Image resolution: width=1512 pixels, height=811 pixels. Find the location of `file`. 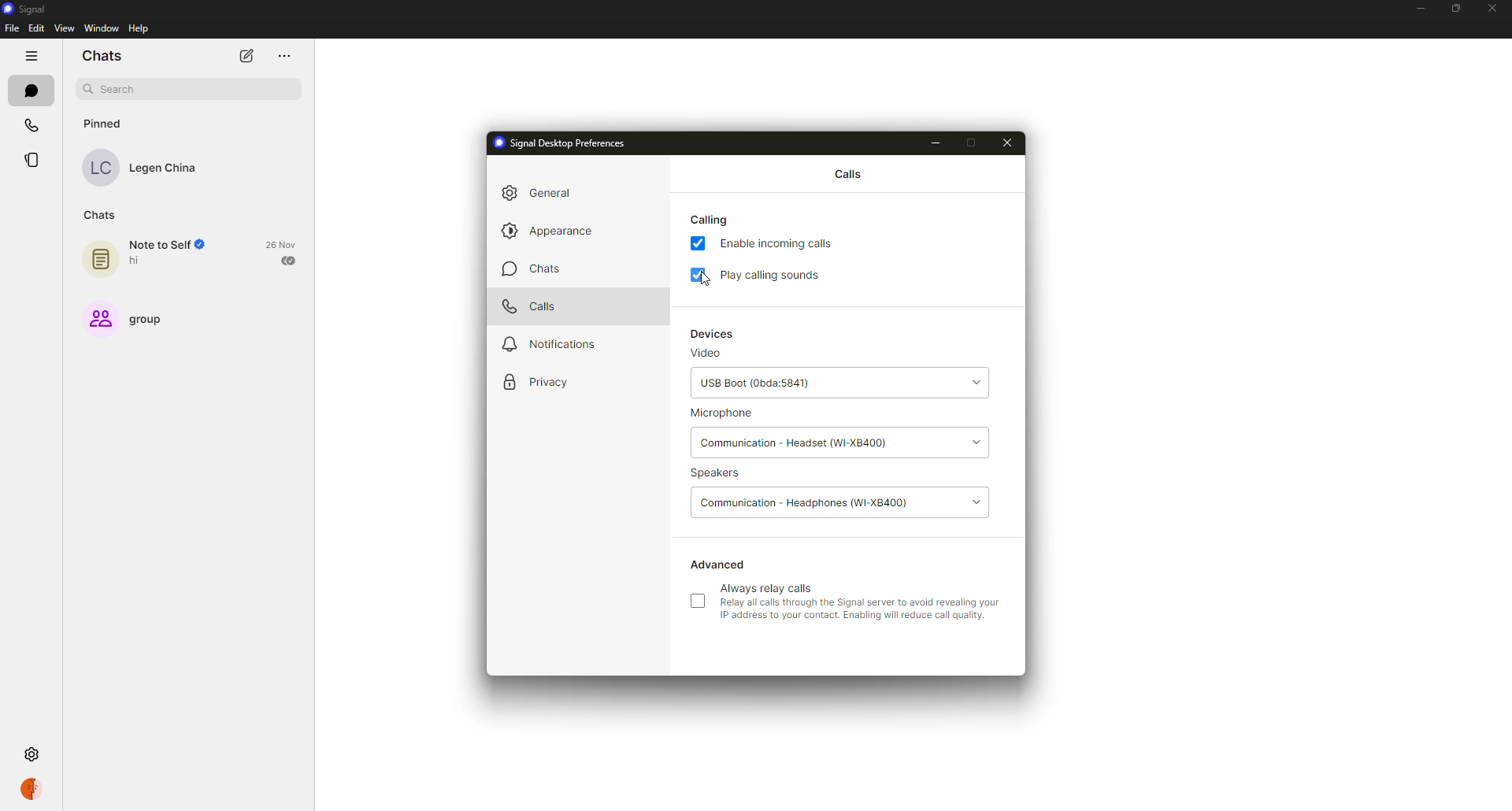

file is located at coordinates (11, 28).